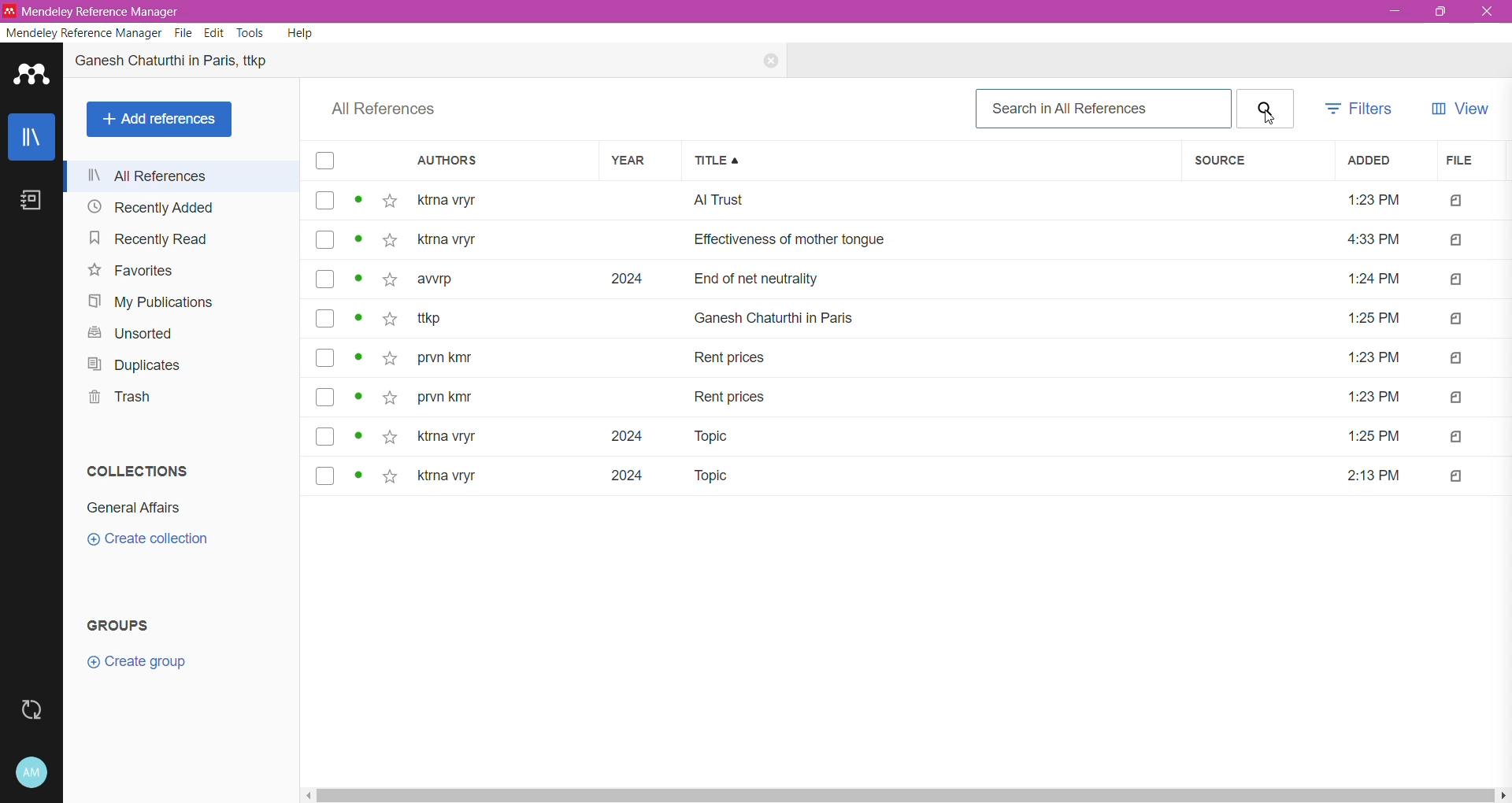  Describe the element at coordinates (360, 476) in the screenshot. I see `view status` at that location.